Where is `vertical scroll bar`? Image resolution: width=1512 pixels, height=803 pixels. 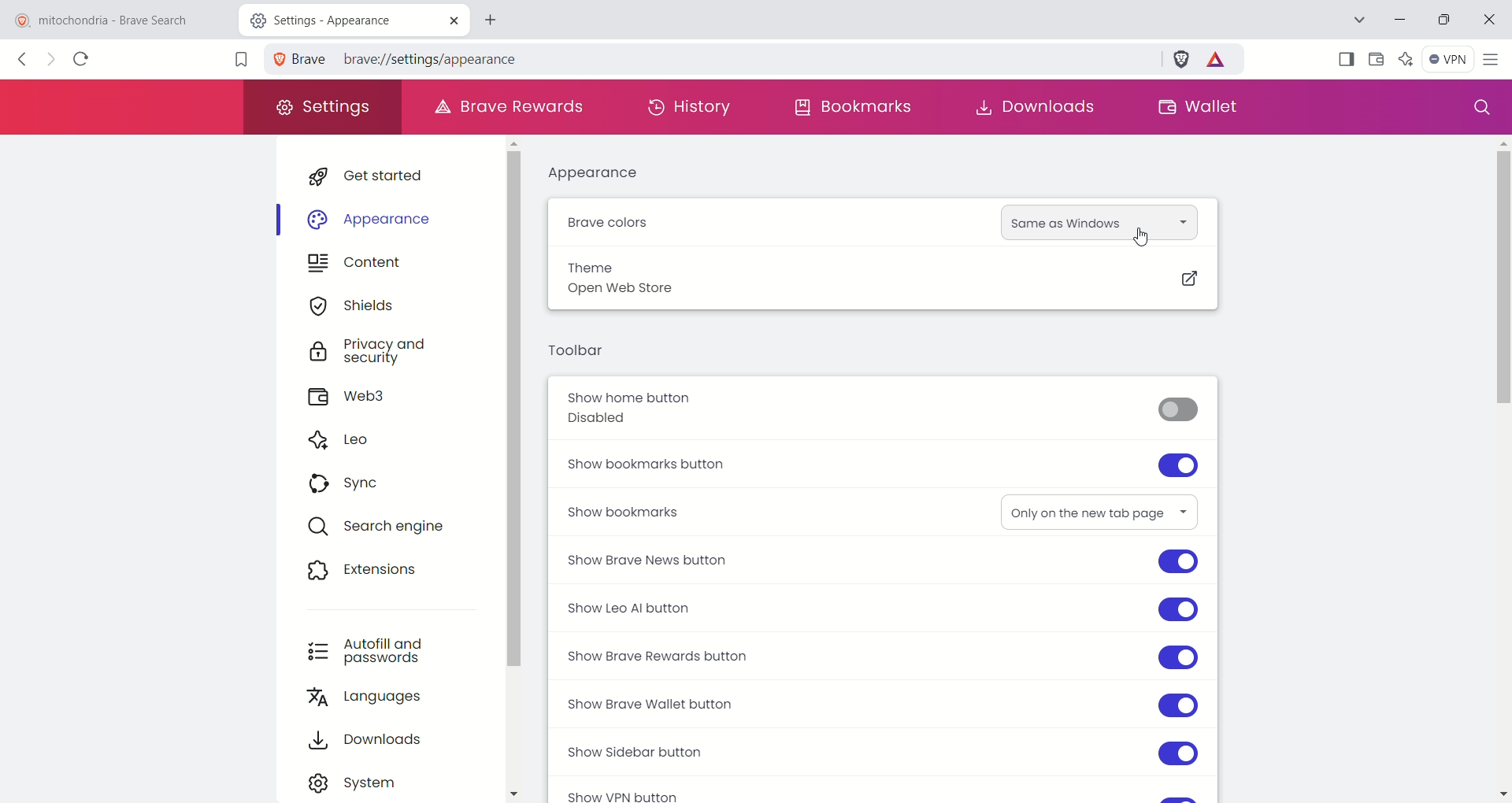 vertical scroll bar is located at coordinates (1499, 469).